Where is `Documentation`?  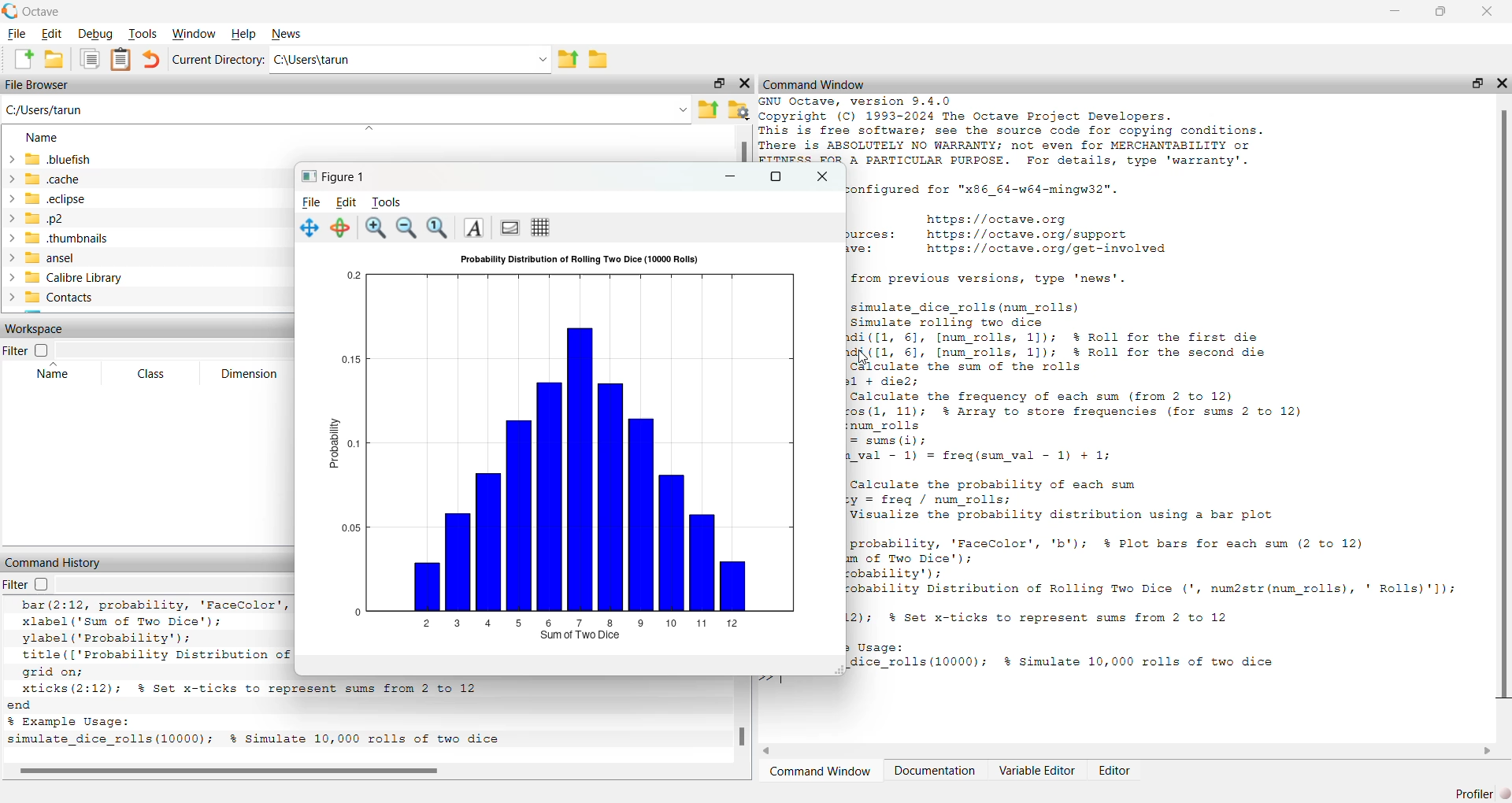
Documentation is located at coordinates (936, 771).